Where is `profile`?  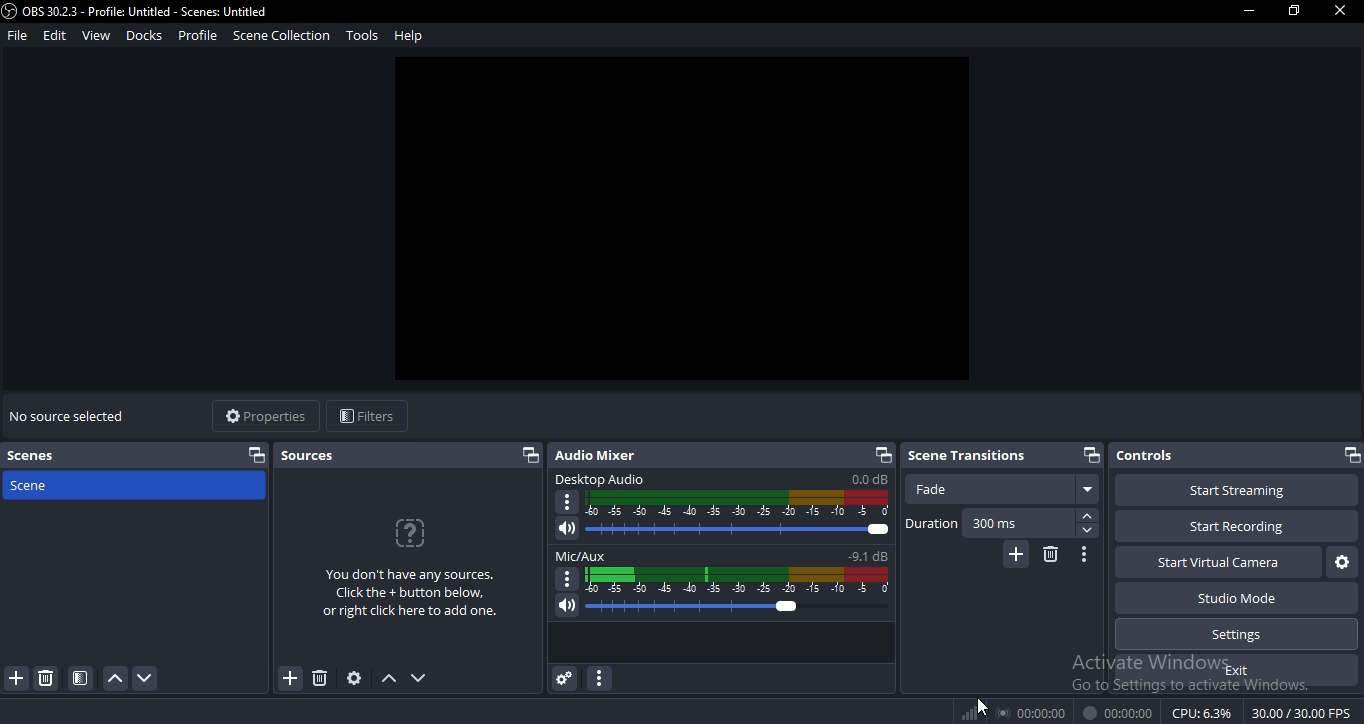
profile is located at coordinates (197, 36).